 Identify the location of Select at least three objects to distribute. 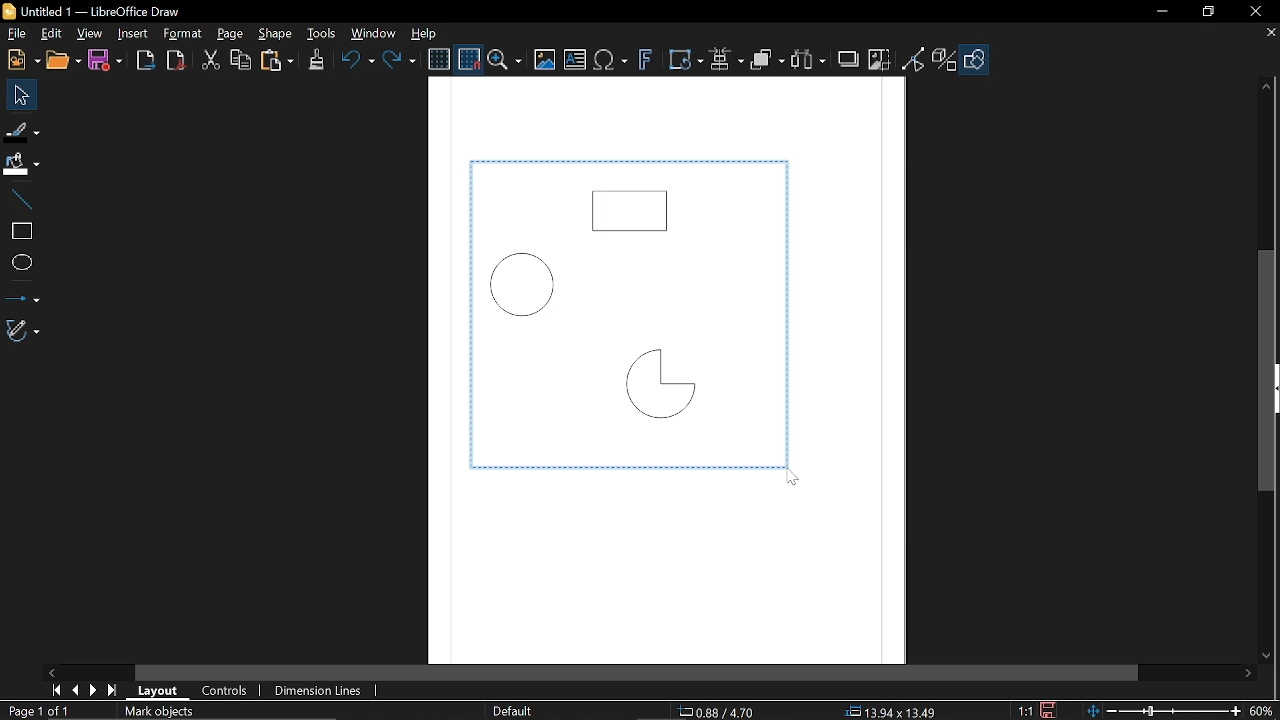
(810, 61).